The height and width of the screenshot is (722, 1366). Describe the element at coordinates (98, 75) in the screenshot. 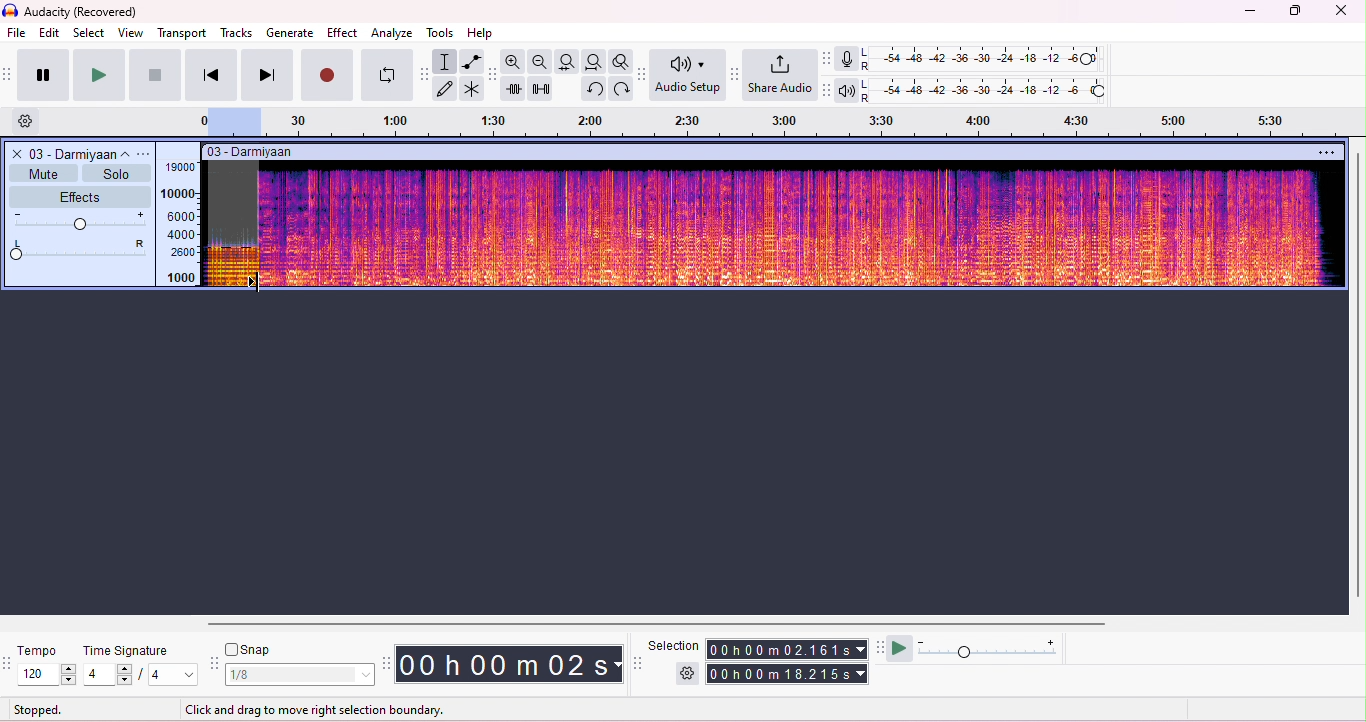

I see `play` at that location.